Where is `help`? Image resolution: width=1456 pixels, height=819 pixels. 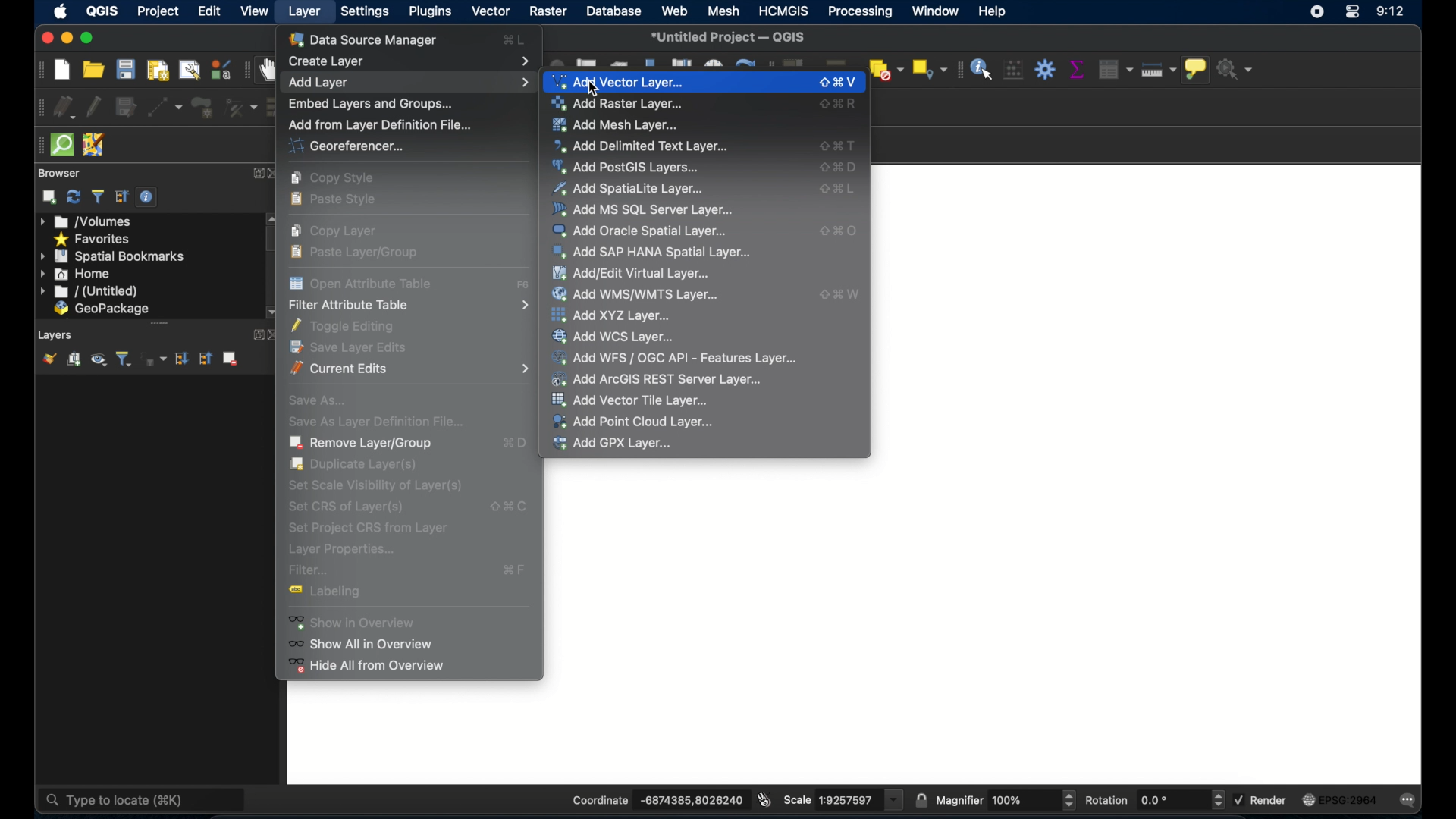
help is located at coordinates (998, 12).